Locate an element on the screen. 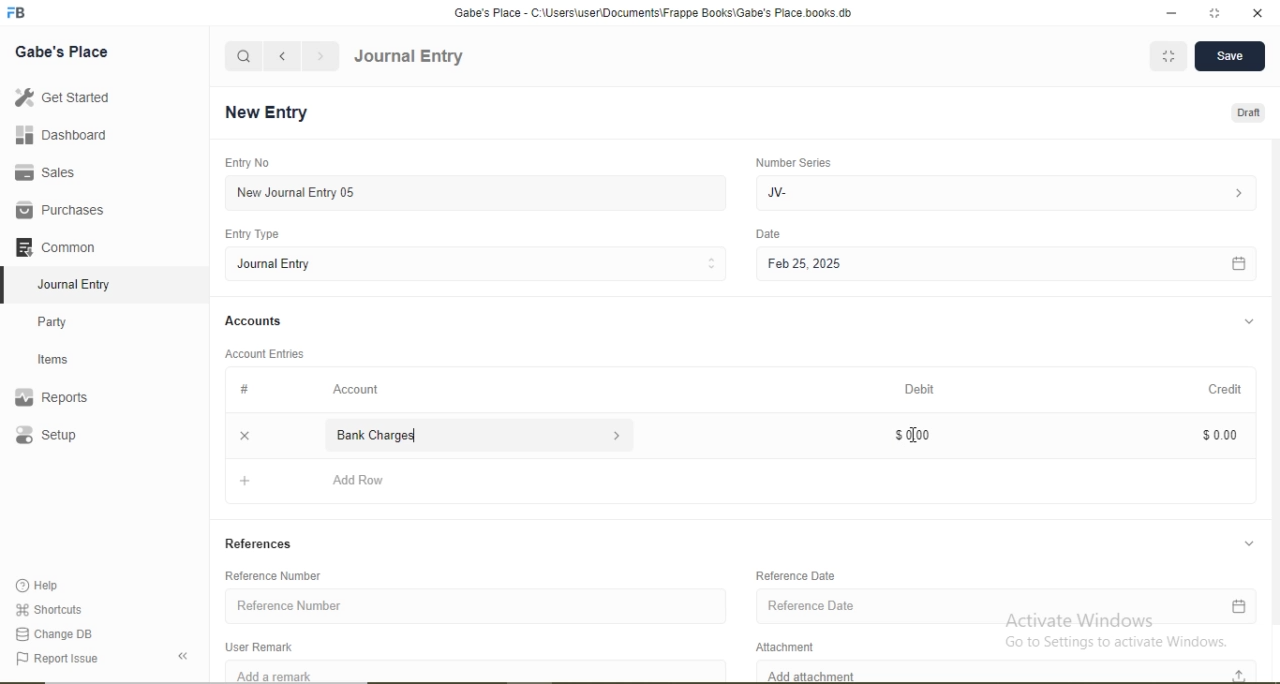 Image resolution: width=1280 pixels, height=684 pixels. + Add Row is located at coordinates (743, 484).